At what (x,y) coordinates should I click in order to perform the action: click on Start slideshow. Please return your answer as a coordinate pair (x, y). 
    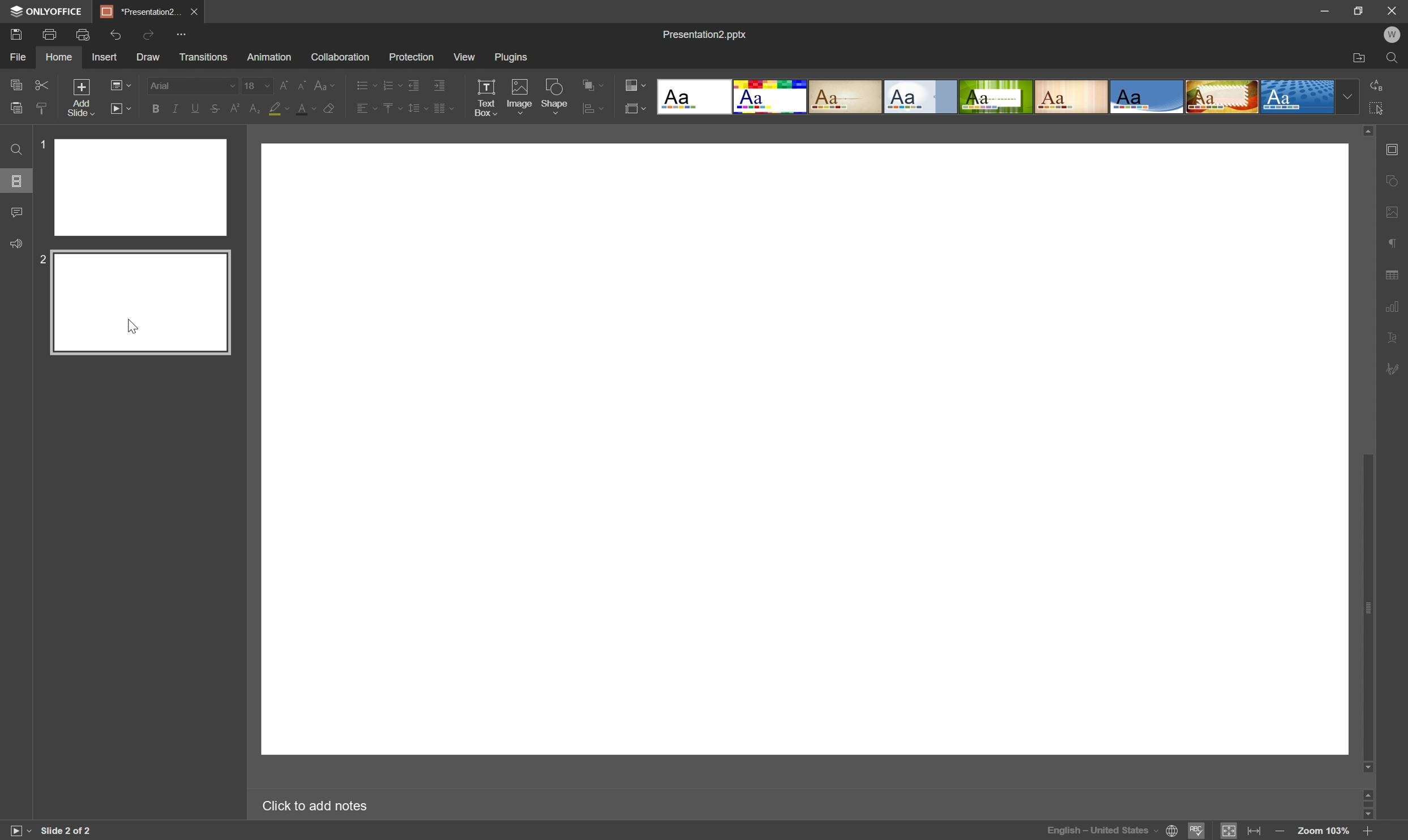
    Looking at the image, I should click on (120, 108).